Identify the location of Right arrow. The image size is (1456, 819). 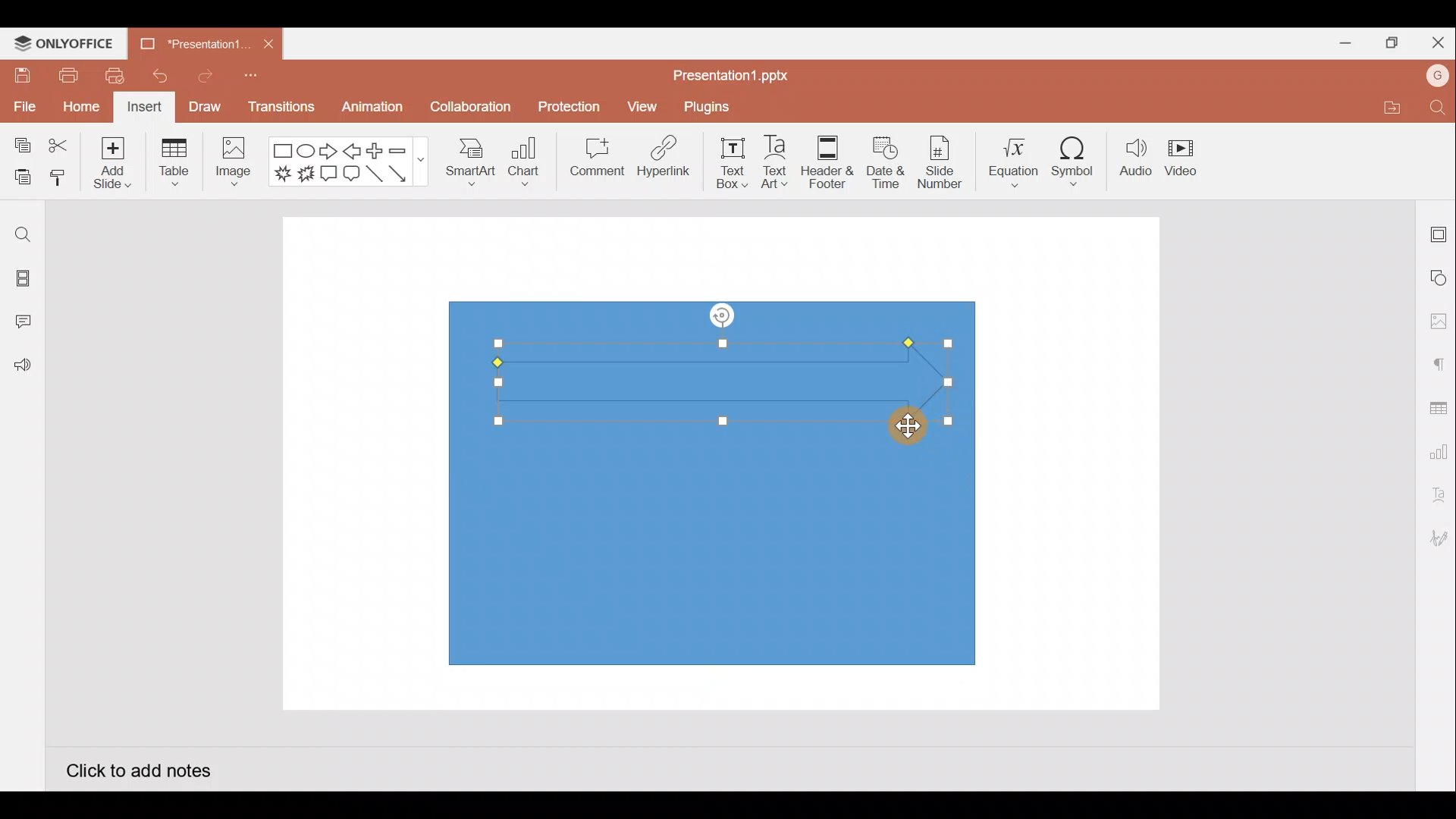
(328, 152).